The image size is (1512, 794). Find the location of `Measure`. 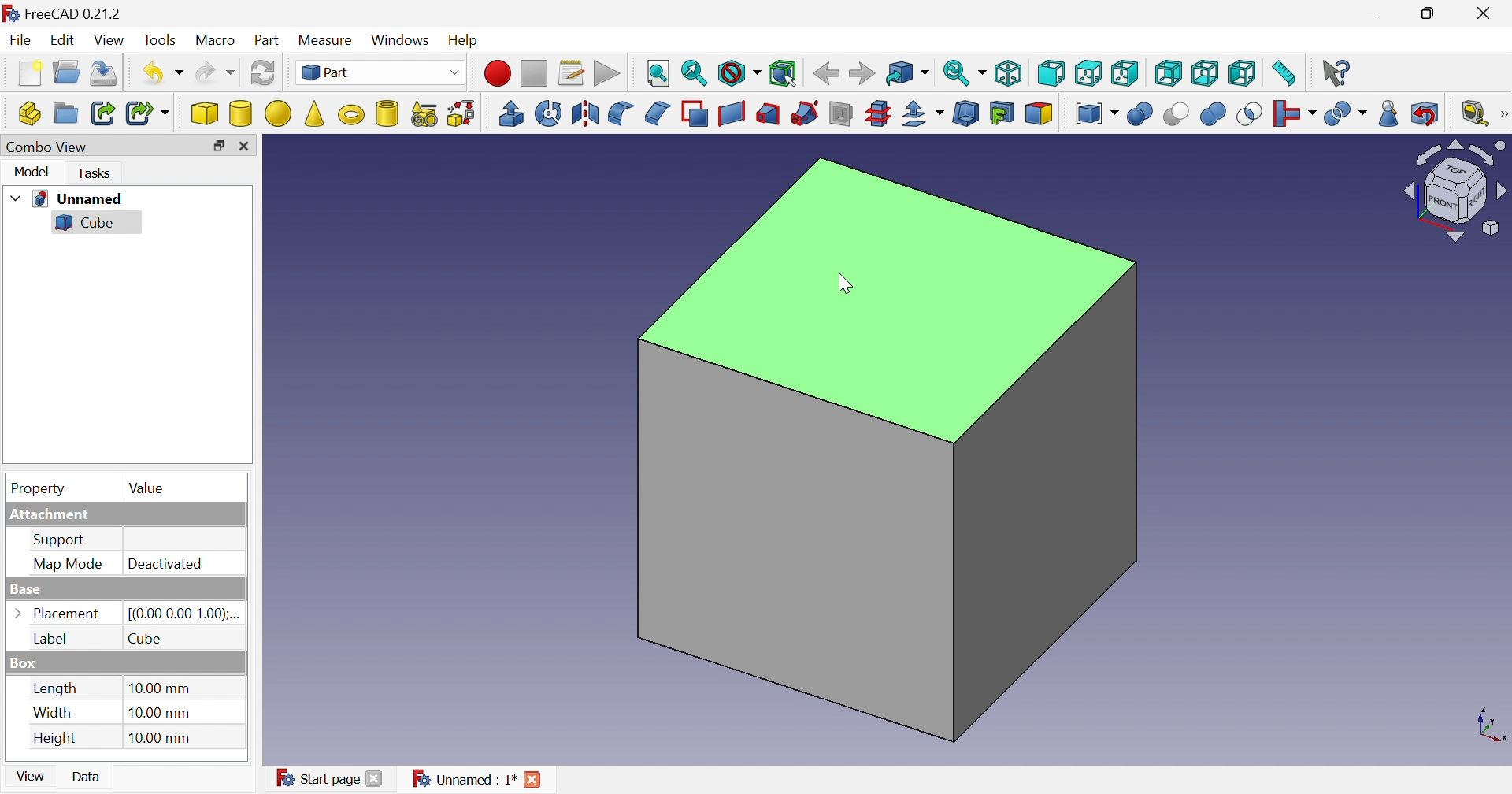

Measure is located at coordinates (329, 42).